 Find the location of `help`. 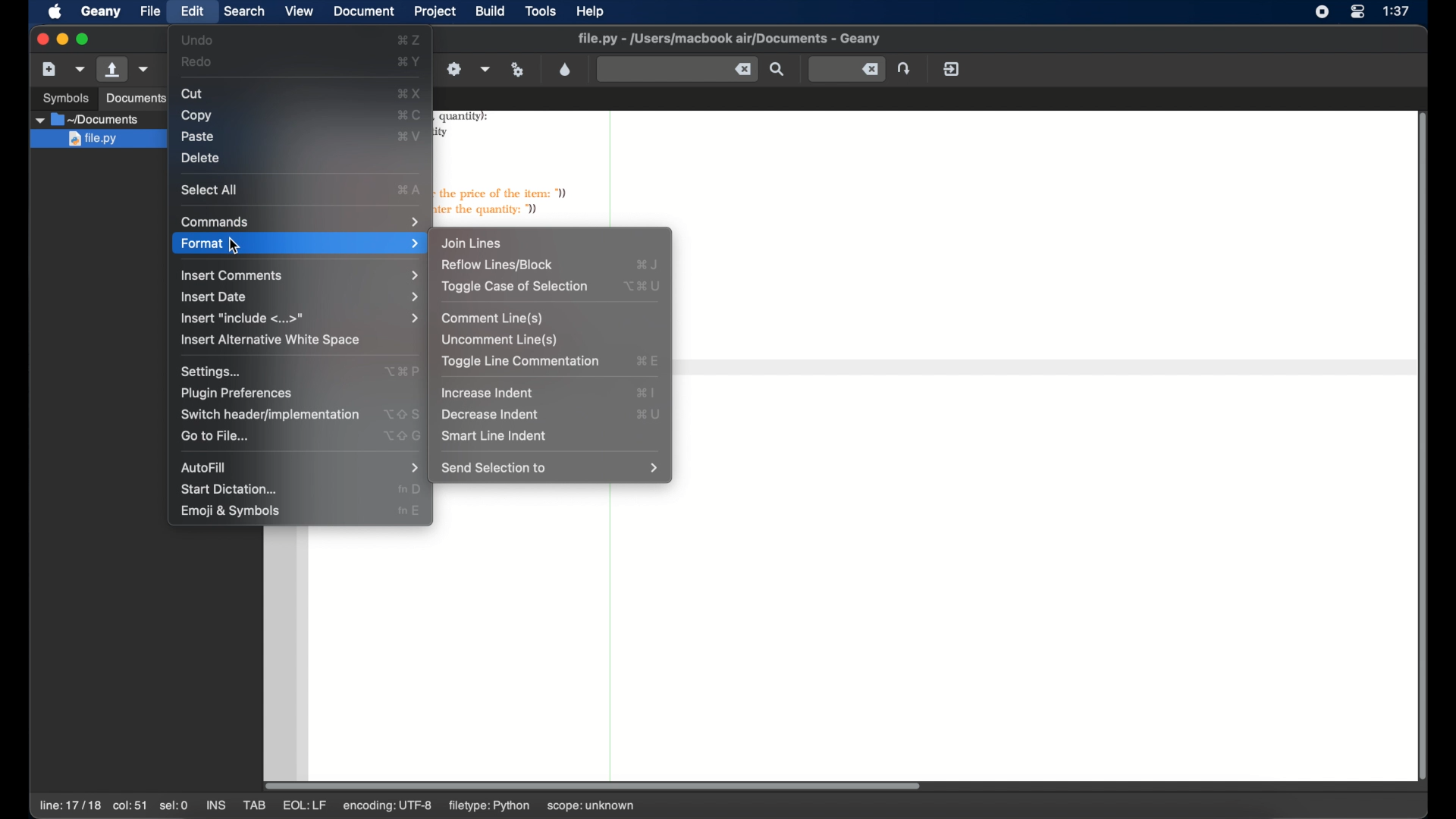

help is located at coordinates (591, 11).